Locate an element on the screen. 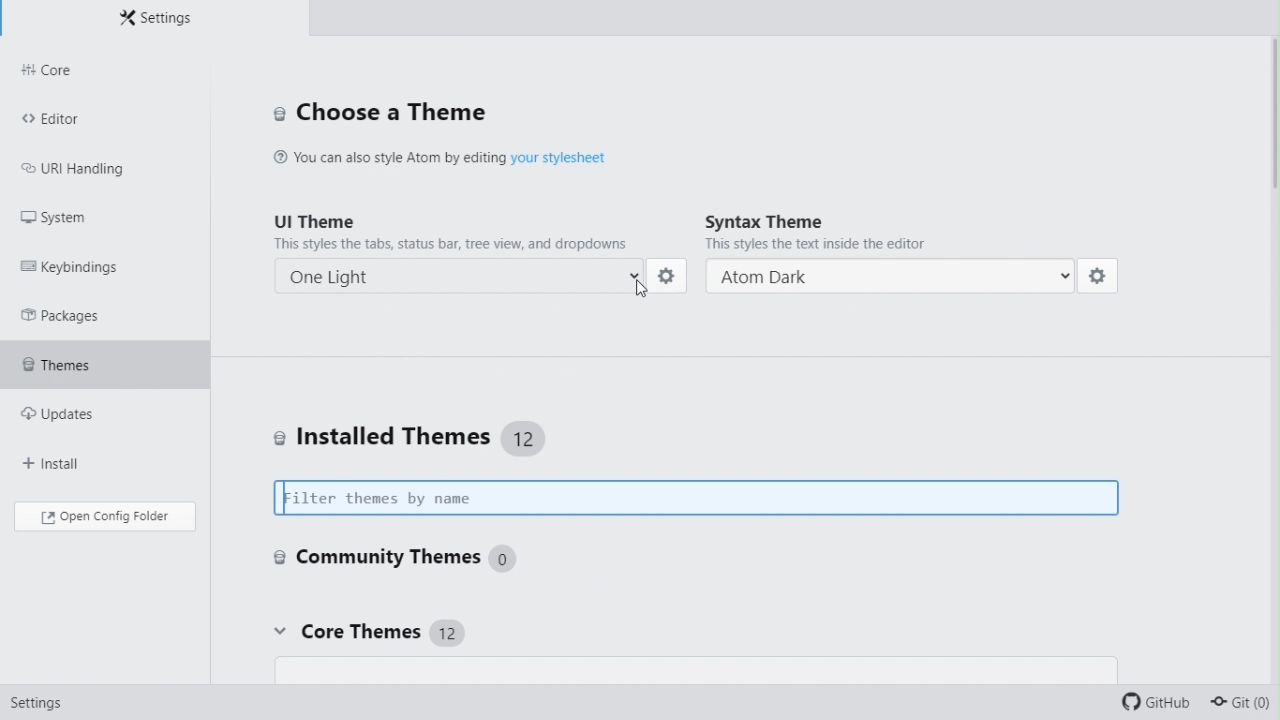 This screenshot has height=720, width=1280. Installed themes is located at coordinates (484, 437).